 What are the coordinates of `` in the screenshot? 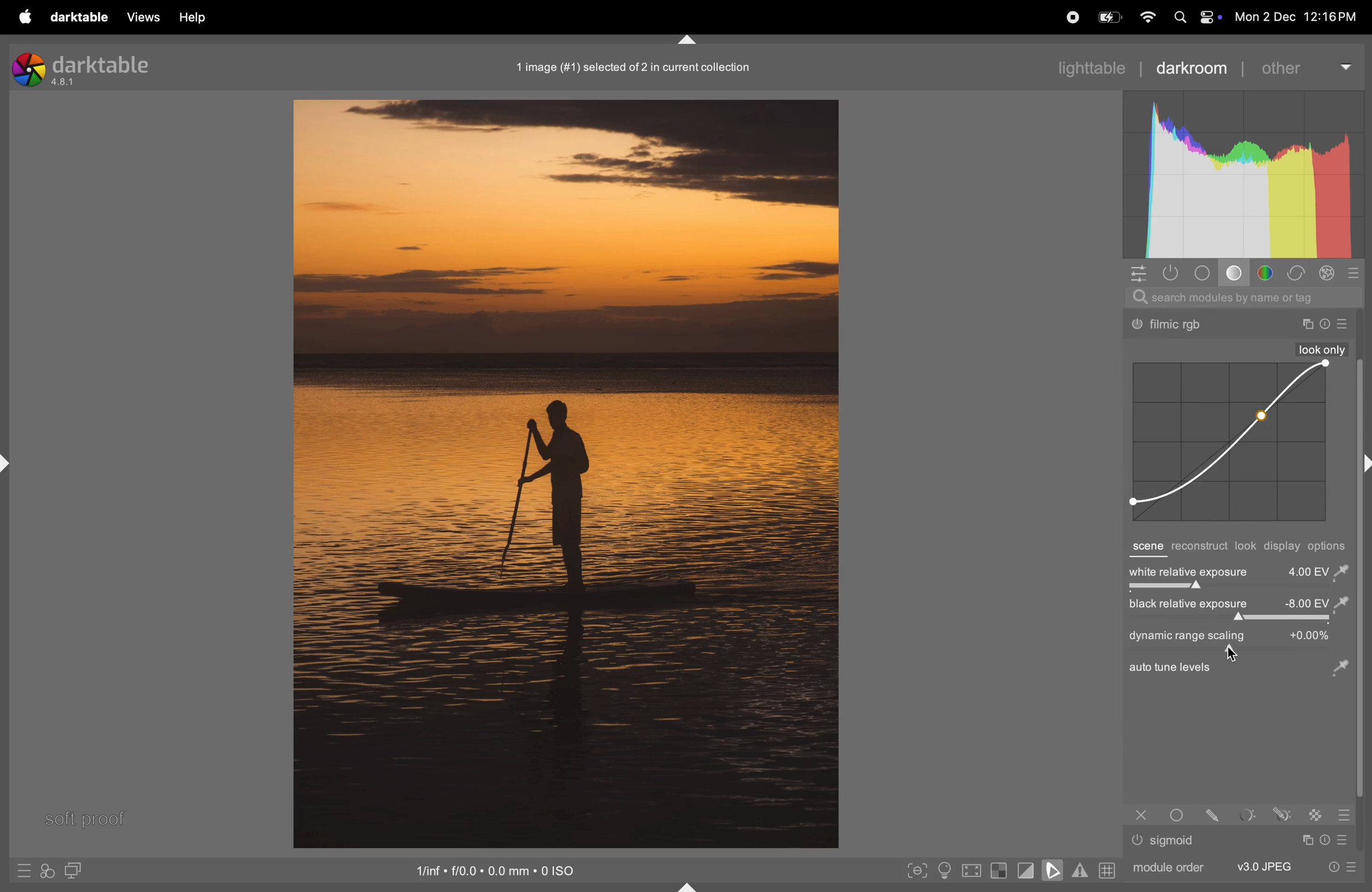 It's located at (1306, 840).